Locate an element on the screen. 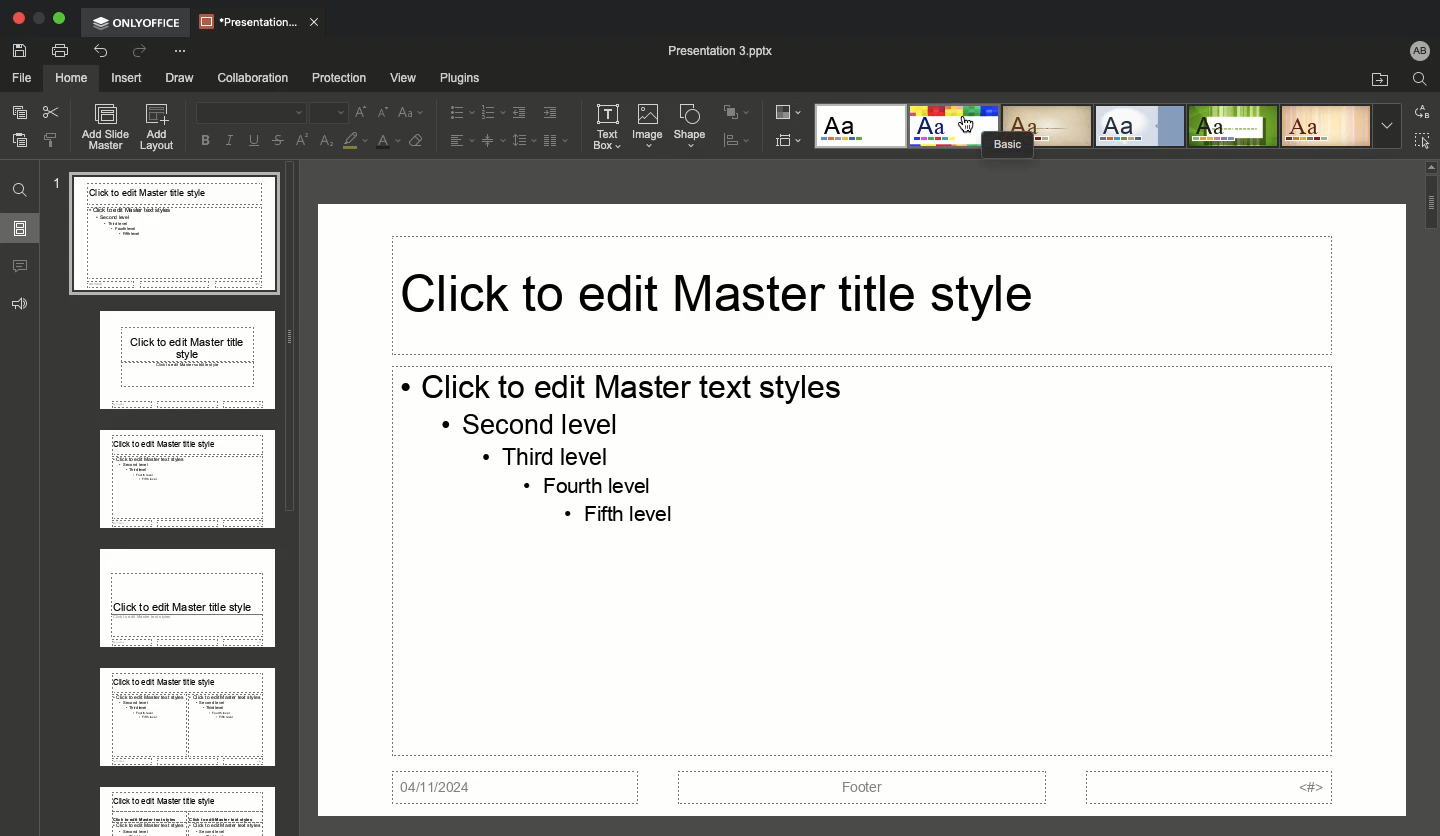  Align shape is located at coordinates (733, 143).